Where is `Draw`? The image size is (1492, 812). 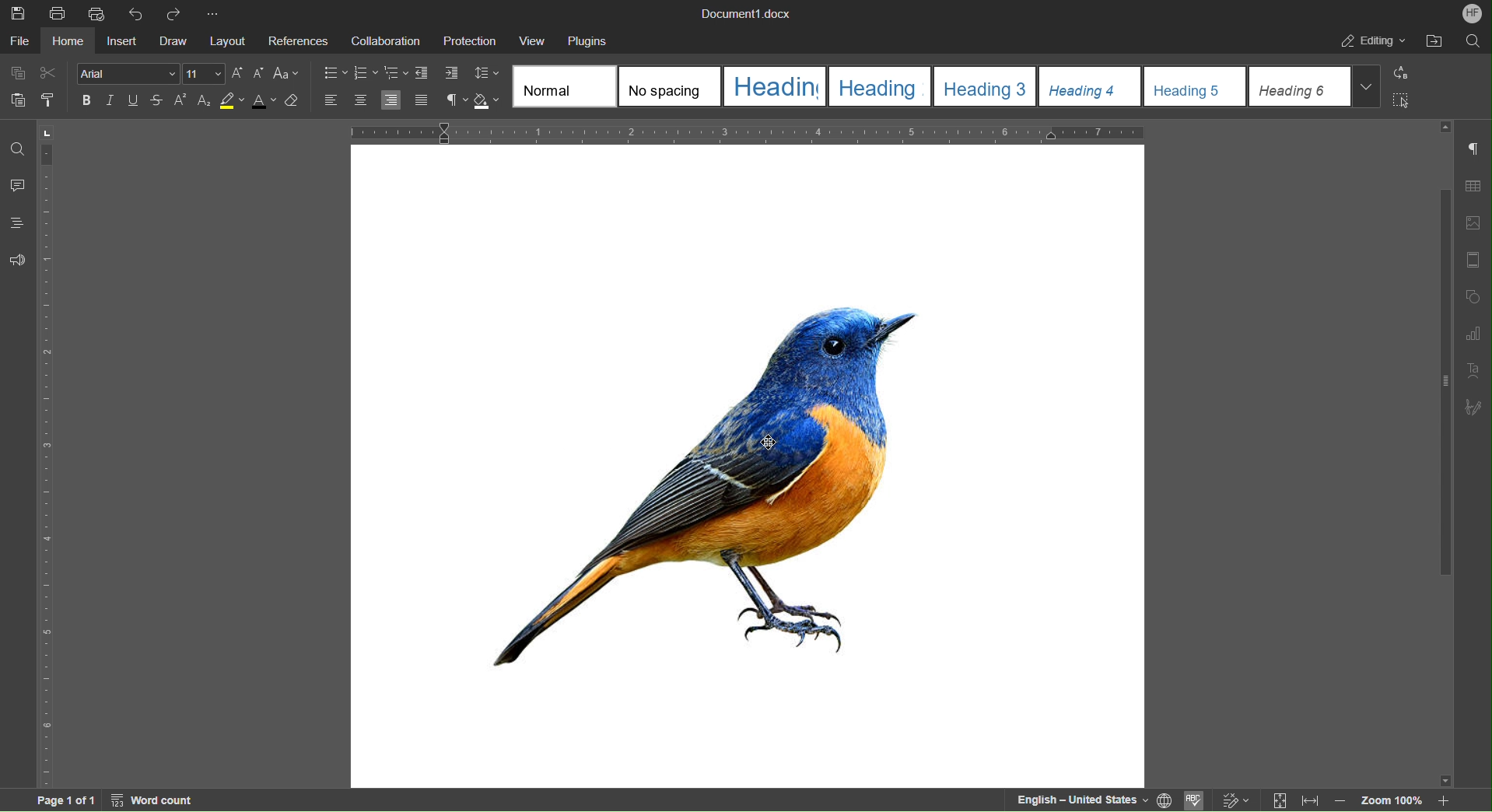
Draw is located at coordinates (170, 43).